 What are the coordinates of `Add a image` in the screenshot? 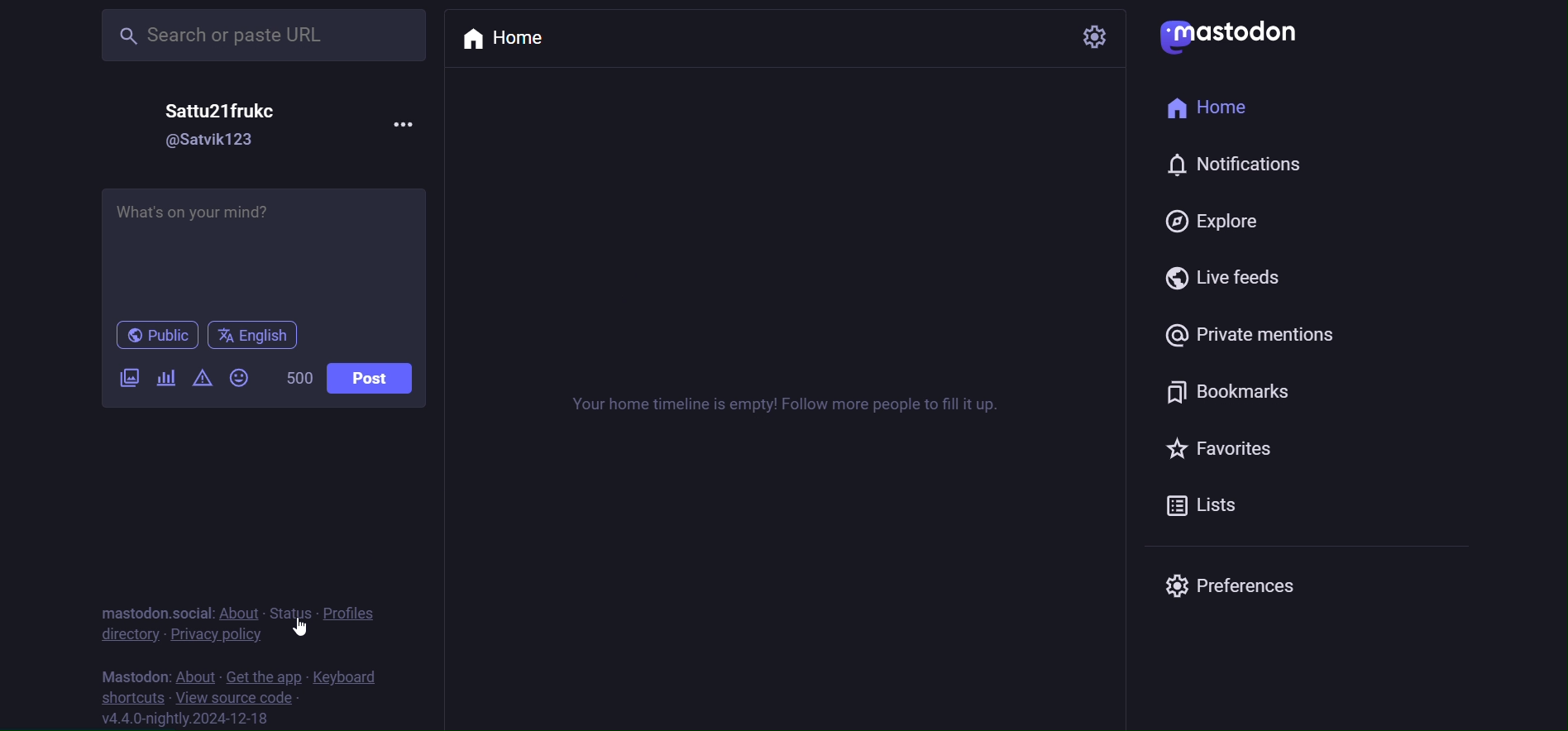 It's located at (123, 379).